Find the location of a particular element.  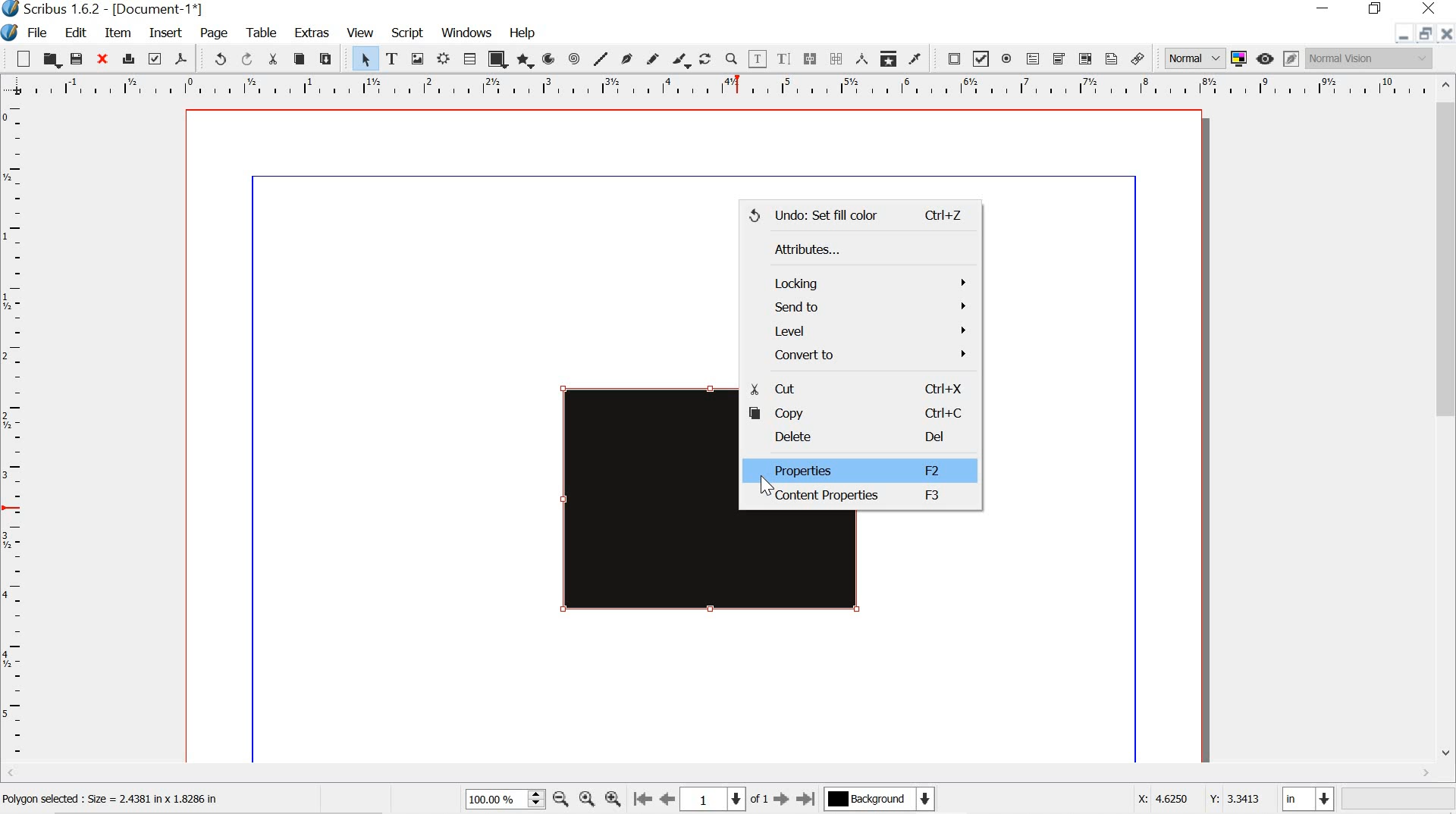

attributes... is located at coordinates (843, 246).